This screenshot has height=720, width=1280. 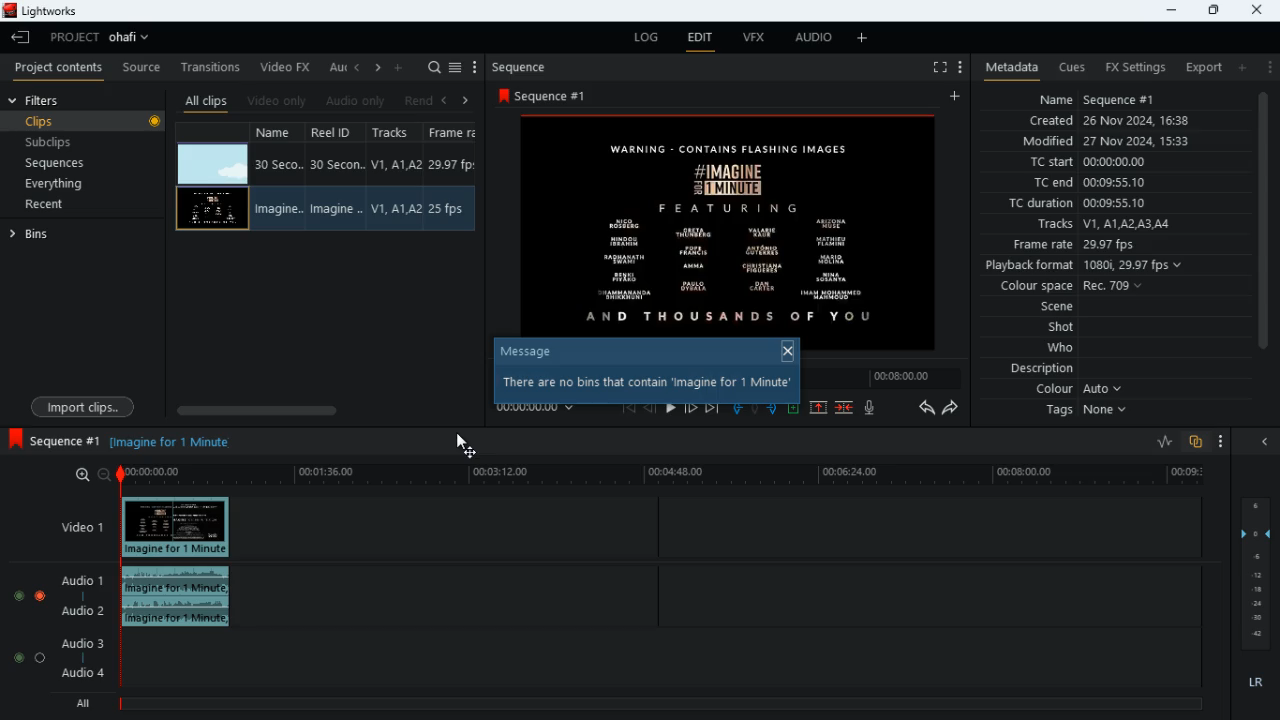 I want to click on playback format, so click(x=1086, y=265).